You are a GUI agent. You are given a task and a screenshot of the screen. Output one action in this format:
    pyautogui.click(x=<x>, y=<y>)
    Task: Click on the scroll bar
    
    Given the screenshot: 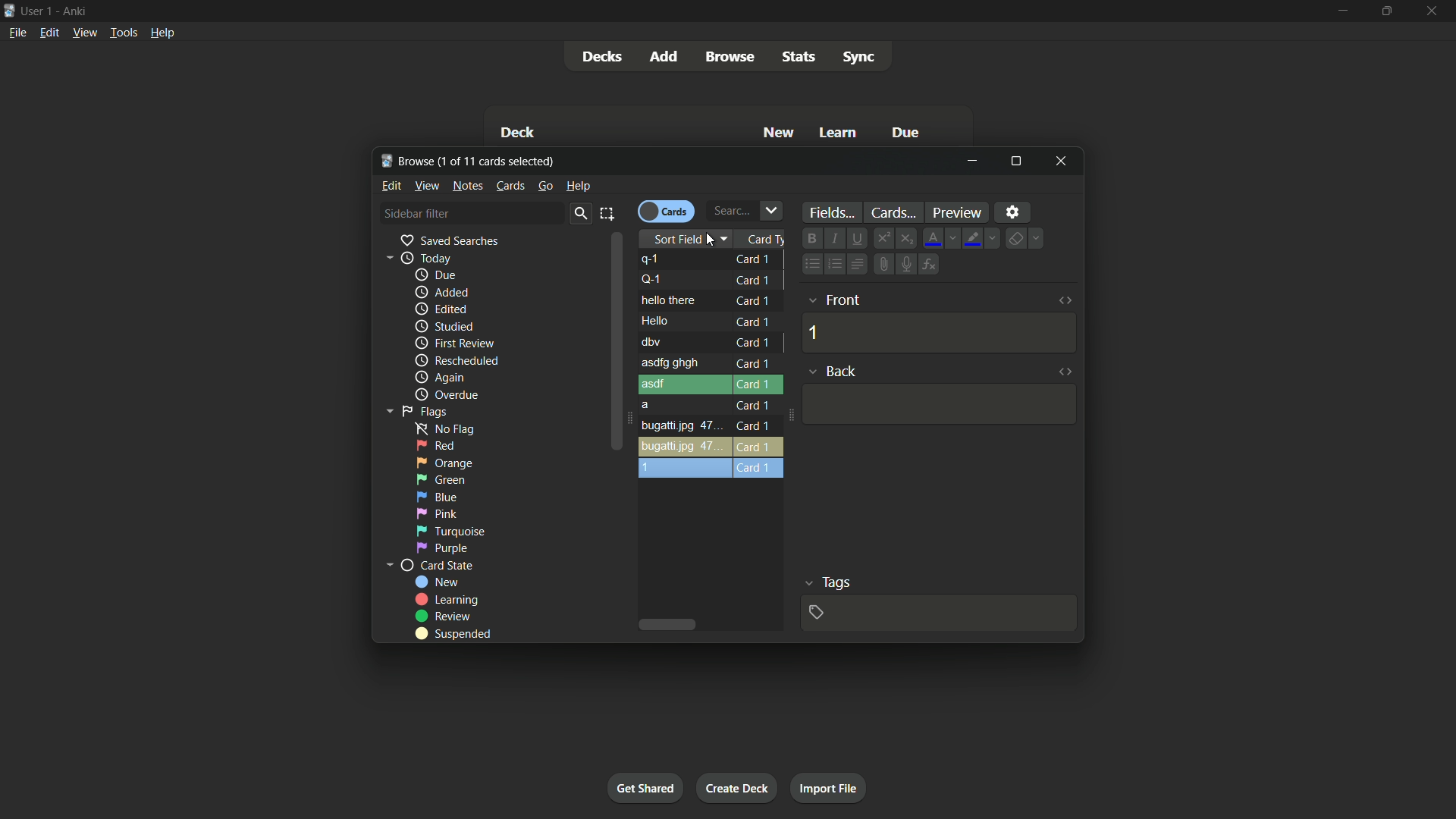 What is the action you would take?
    pyautogui.click(x=670, y=624)
    